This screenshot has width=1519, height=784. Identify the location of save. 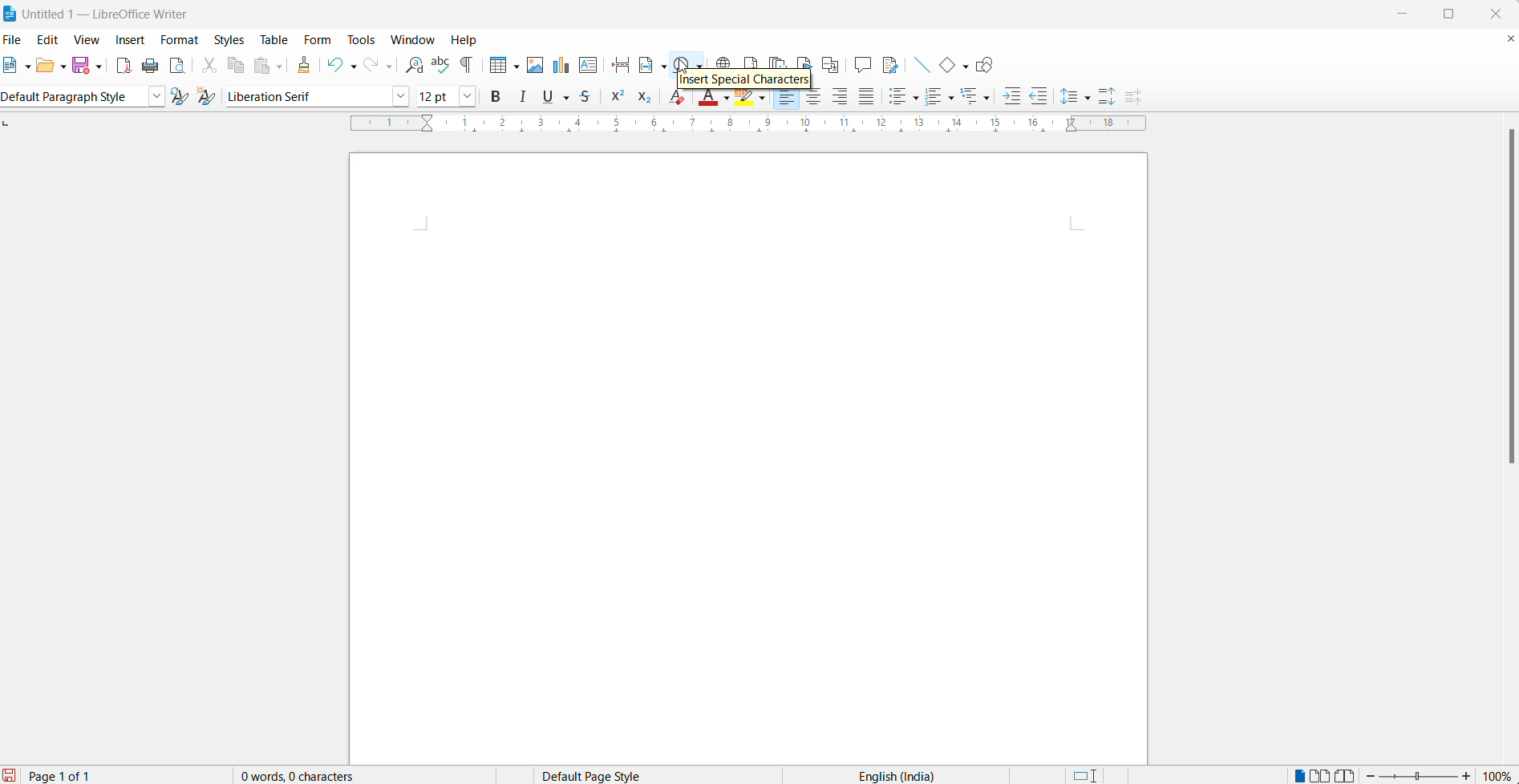
(80, 65).